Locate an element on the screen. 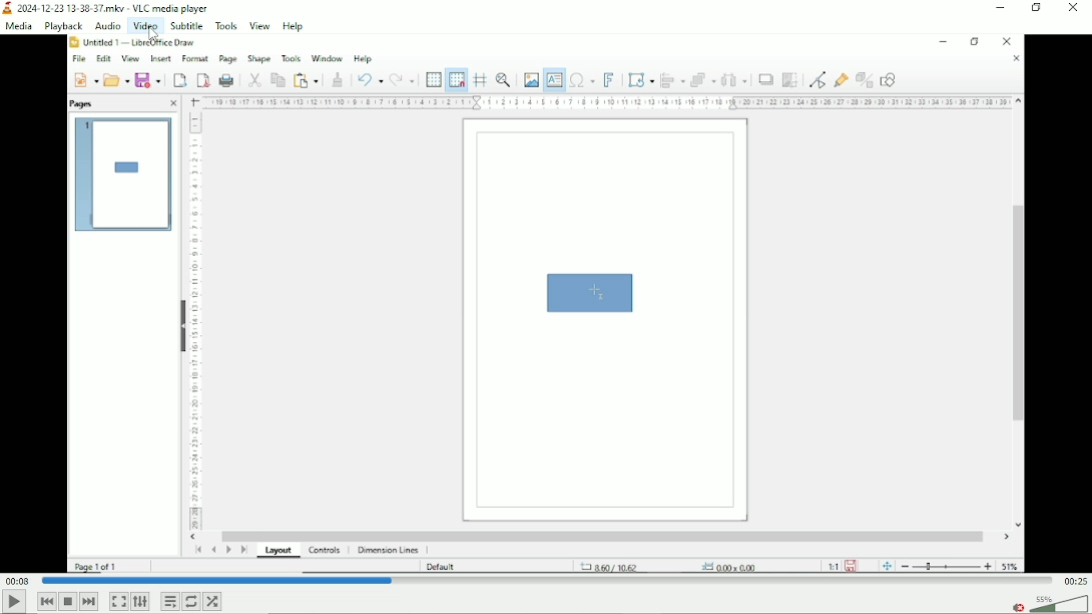  2024-12-23 13-38-37.mkv VLC media player is located at coordinates (117, 7).